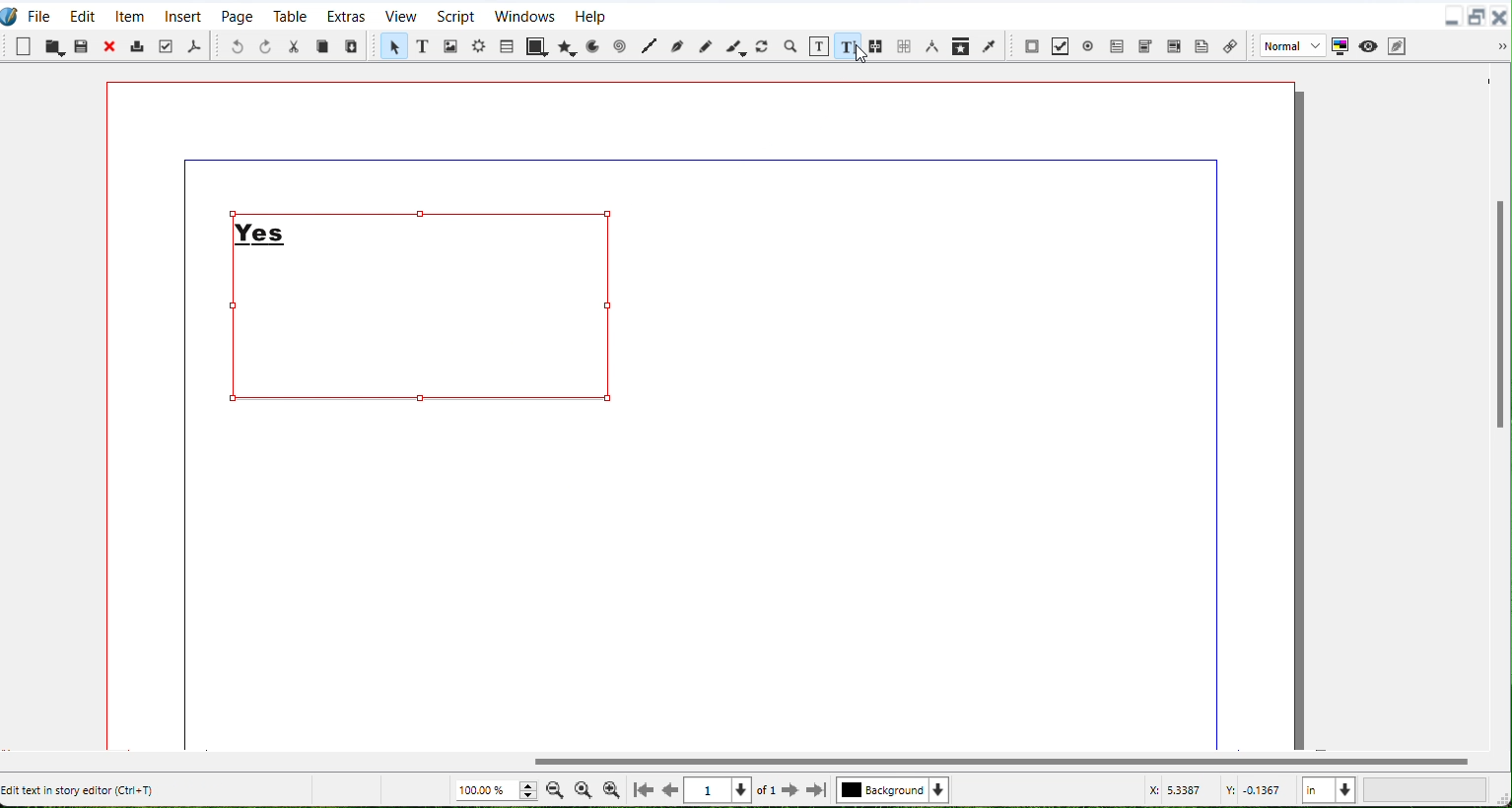 This screenshot has width=1512, height=808. I want to click on PDF Text Field, so click(1118, 43).